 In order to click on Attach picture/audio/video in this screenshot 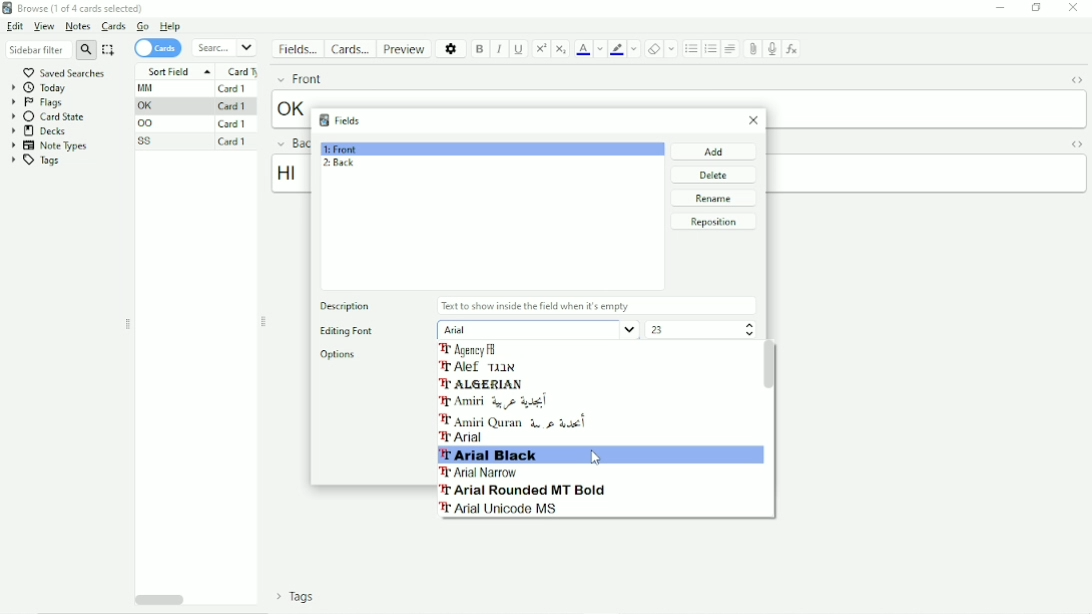, I will do `click(754, 49)`.